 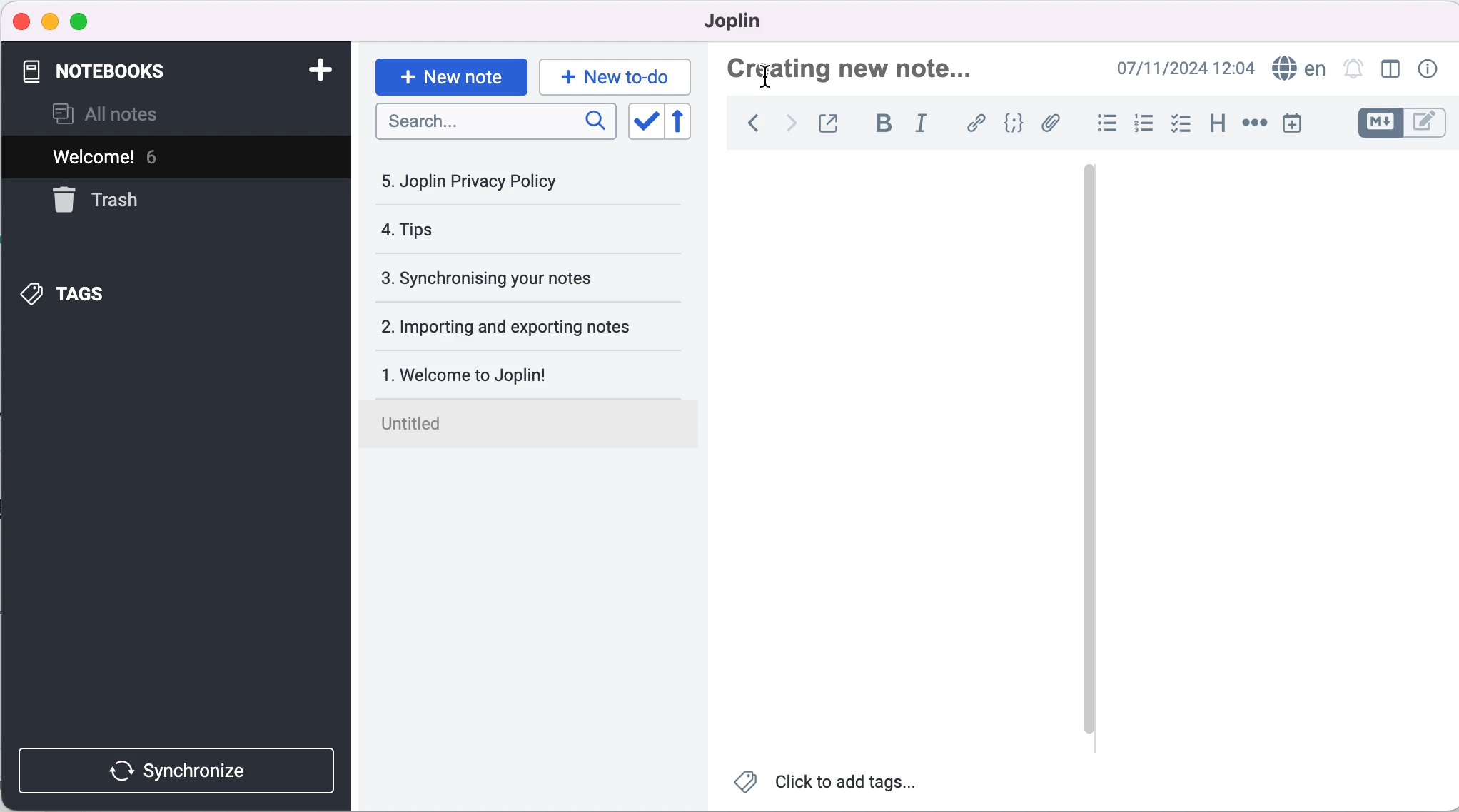 What do you see at coordinates (924, 123) in the screenshot?
I see `italic` at bounding box center [924, 123].